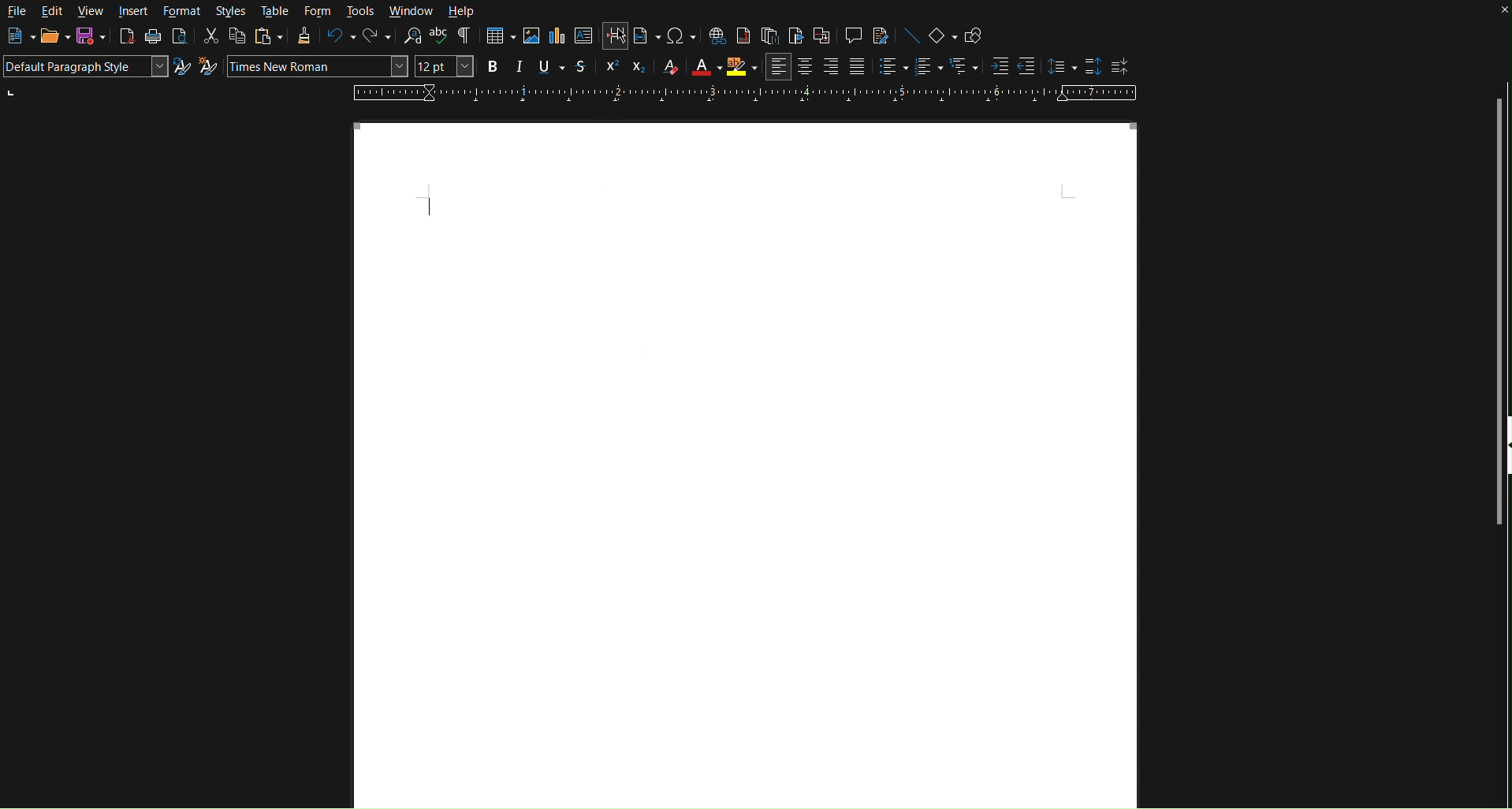  What do you see at coordinates (747, 466) in the screenshot?
I see `Page` at bounding box center [747, 466].